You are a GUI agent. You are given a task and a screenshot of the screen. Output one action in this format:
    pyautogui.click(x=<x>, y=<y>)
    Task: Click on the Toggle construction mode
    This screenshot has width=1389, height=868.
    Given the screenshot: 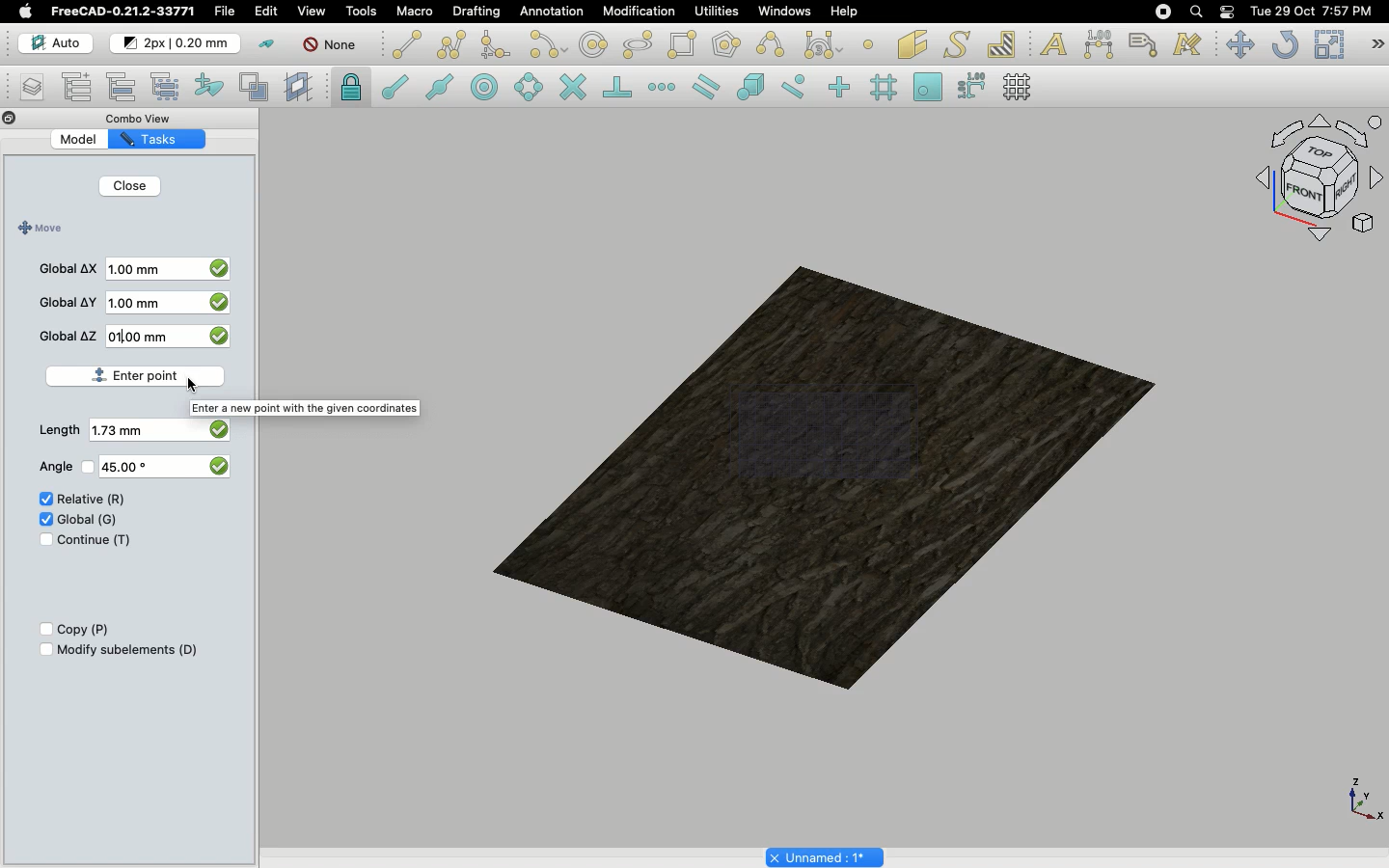 What is the action you would take?
    pyautogui.click(x=267, y=44)
    